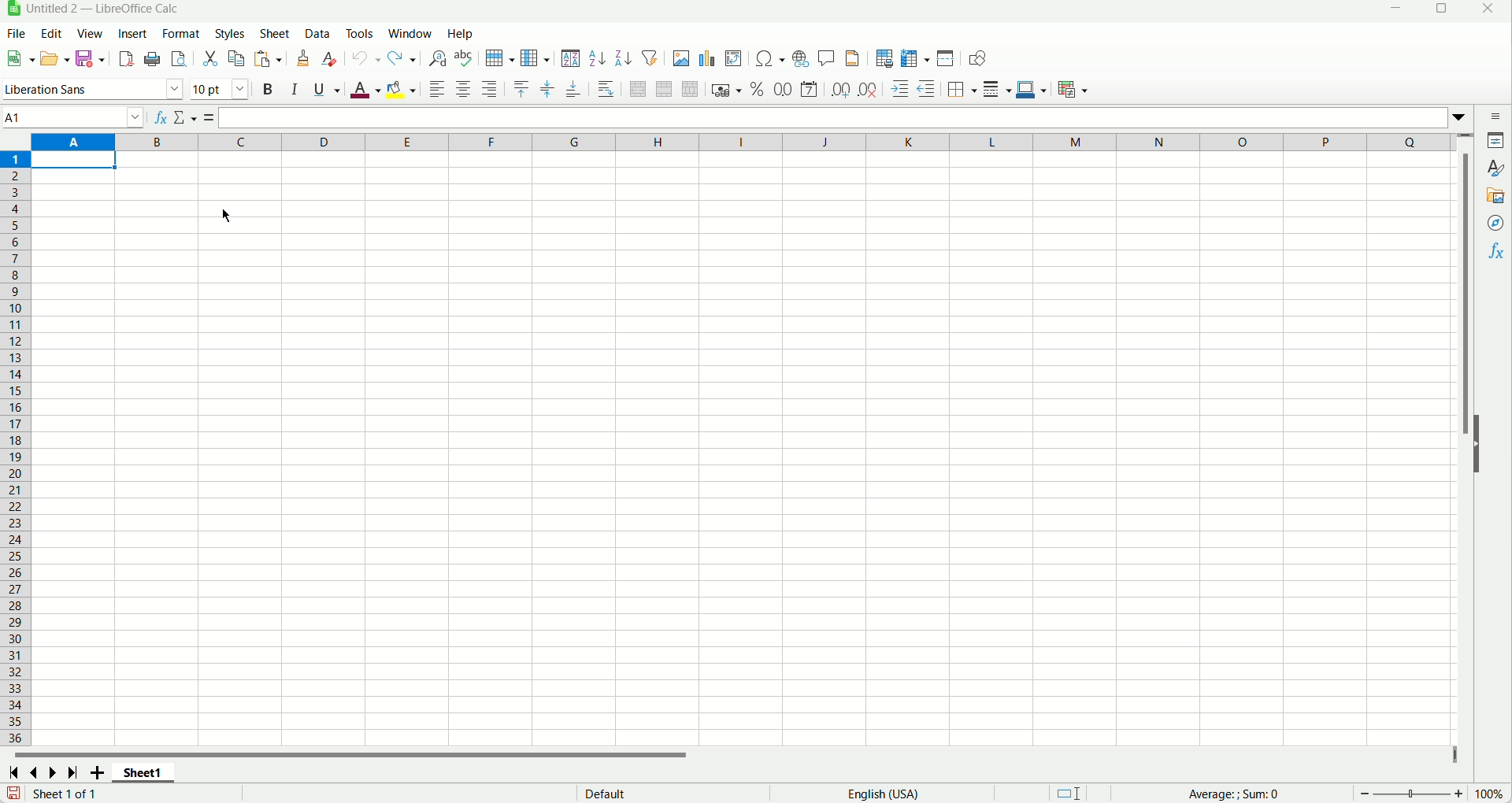  What do you see at coordinates (1495, 168) in the screenshot?
I see `Styles` at bounding box center [1495, 168].